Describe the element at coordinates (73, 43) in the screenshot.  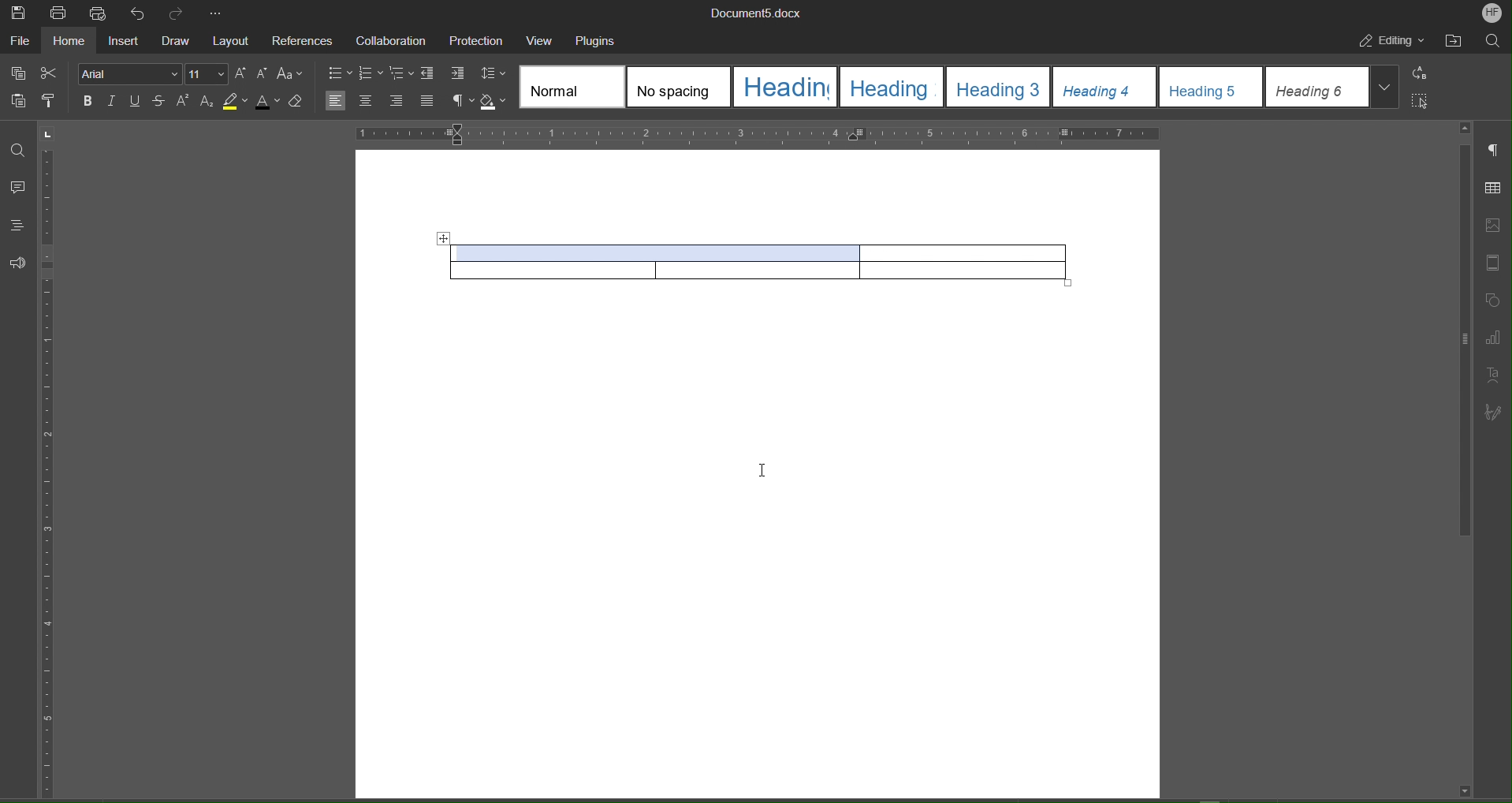
I see `Home` at that location.